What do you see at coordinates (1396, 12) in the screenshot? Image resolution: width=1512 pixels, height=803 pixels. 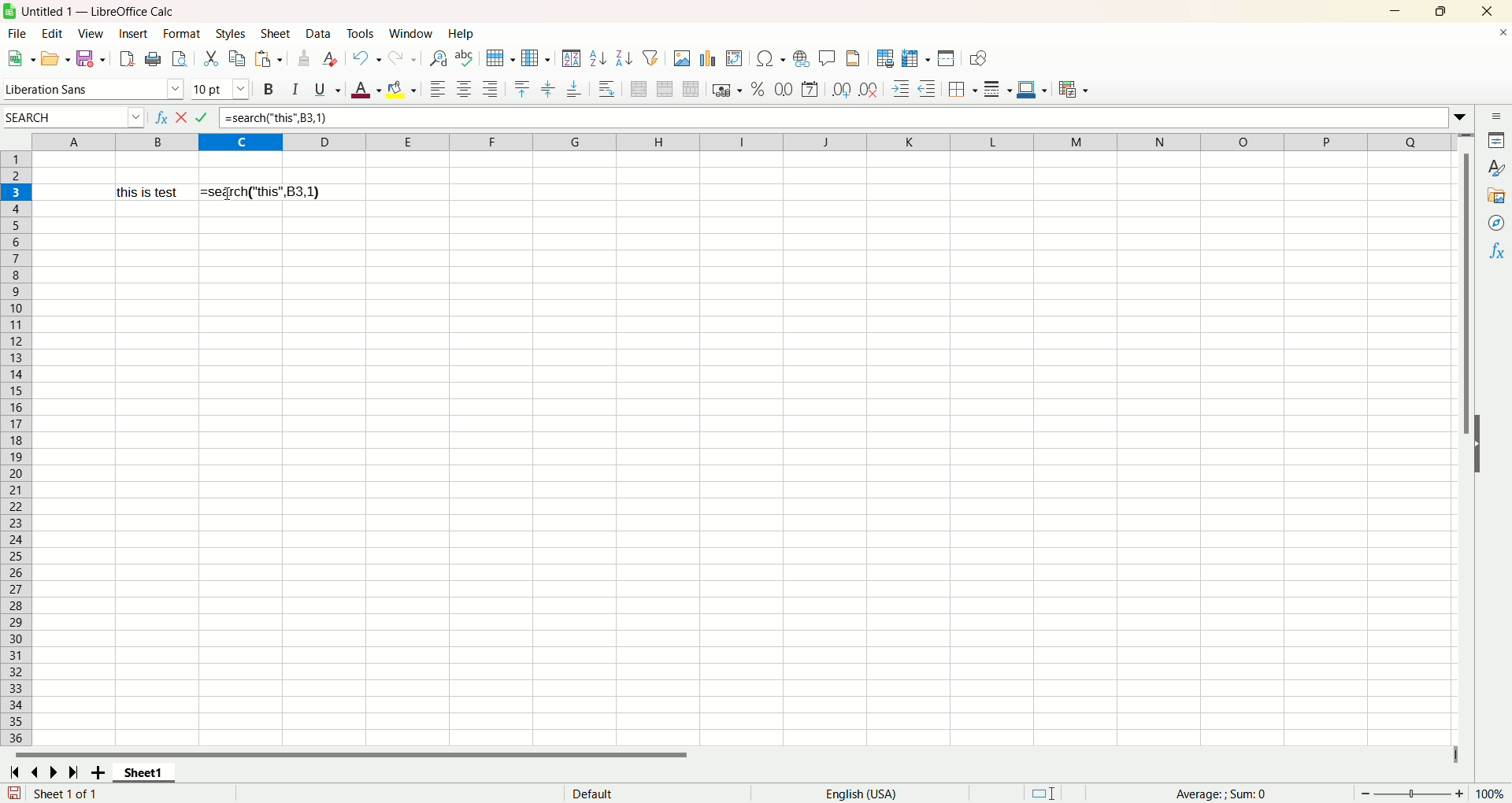 I see `minimize` at bounding box center [1396, 12].